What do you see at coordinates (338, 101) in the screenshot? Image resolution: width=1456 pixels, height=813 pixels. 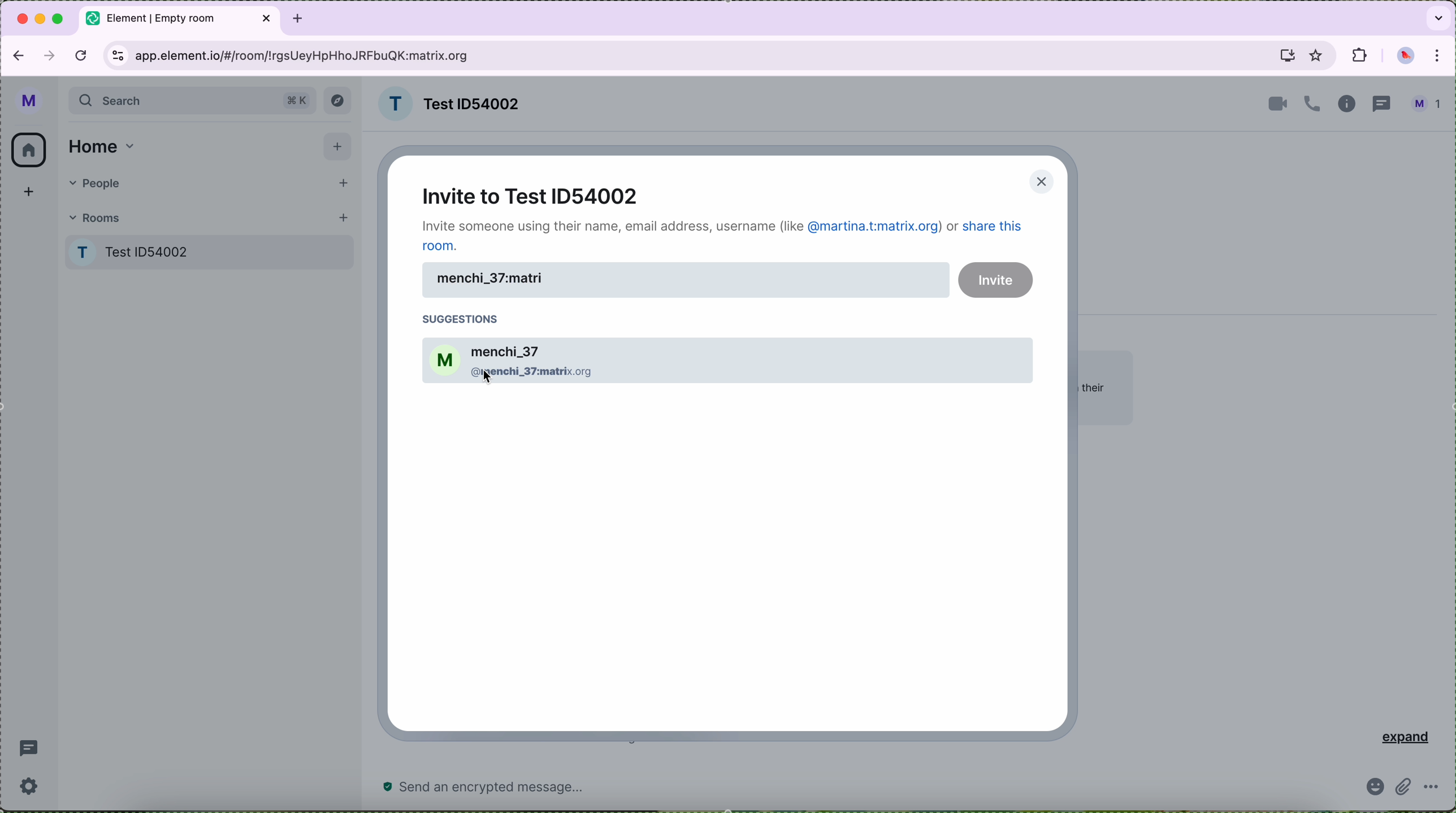 I see `explore button` at bounding box center [338, 101].